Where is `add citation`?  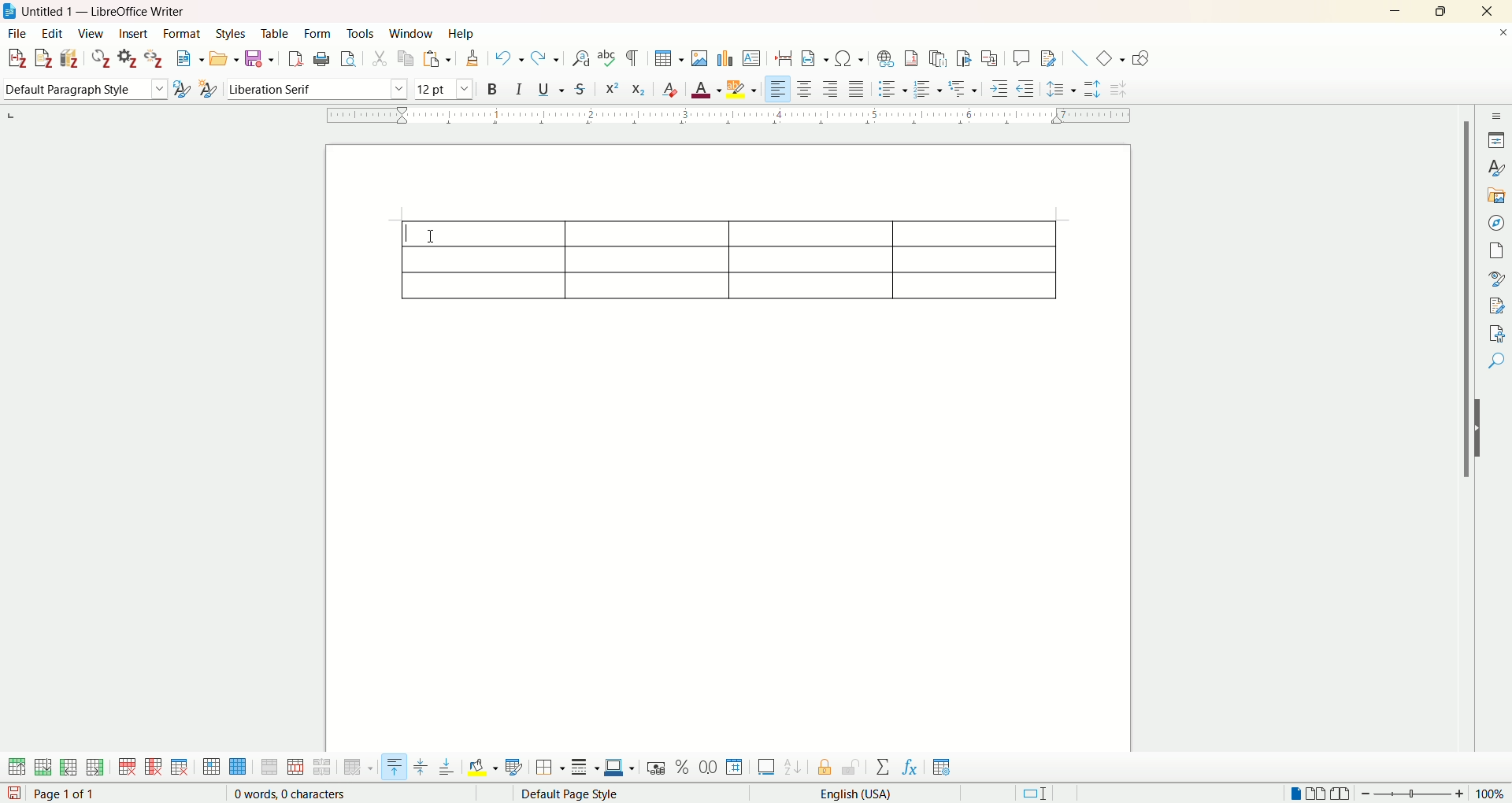
add citation is located at coordinates (16, 60).